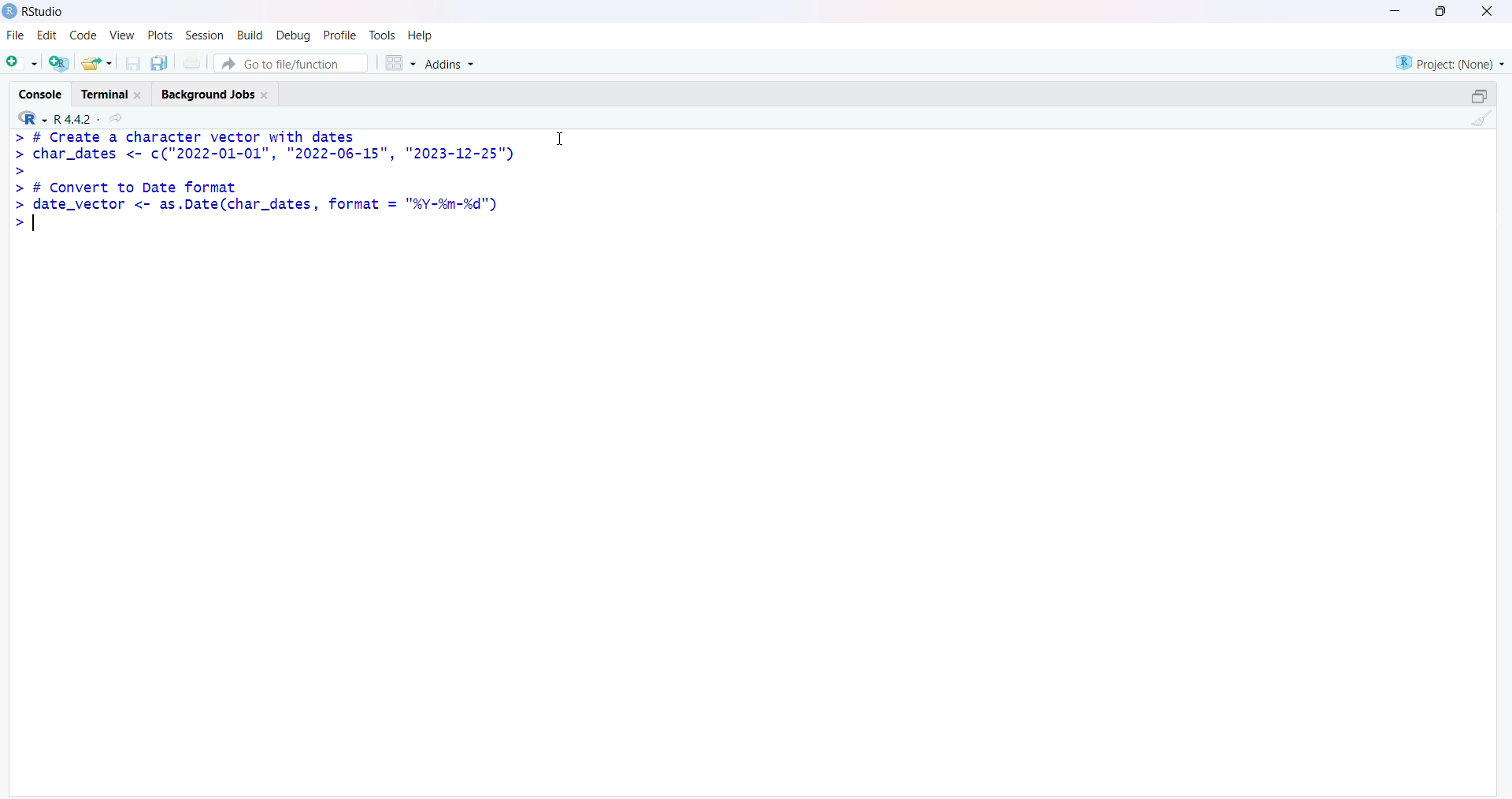  What do you see at coordinates (158, 35) in the screenshot?
I see `Plots` at bounding box center [158, 35].